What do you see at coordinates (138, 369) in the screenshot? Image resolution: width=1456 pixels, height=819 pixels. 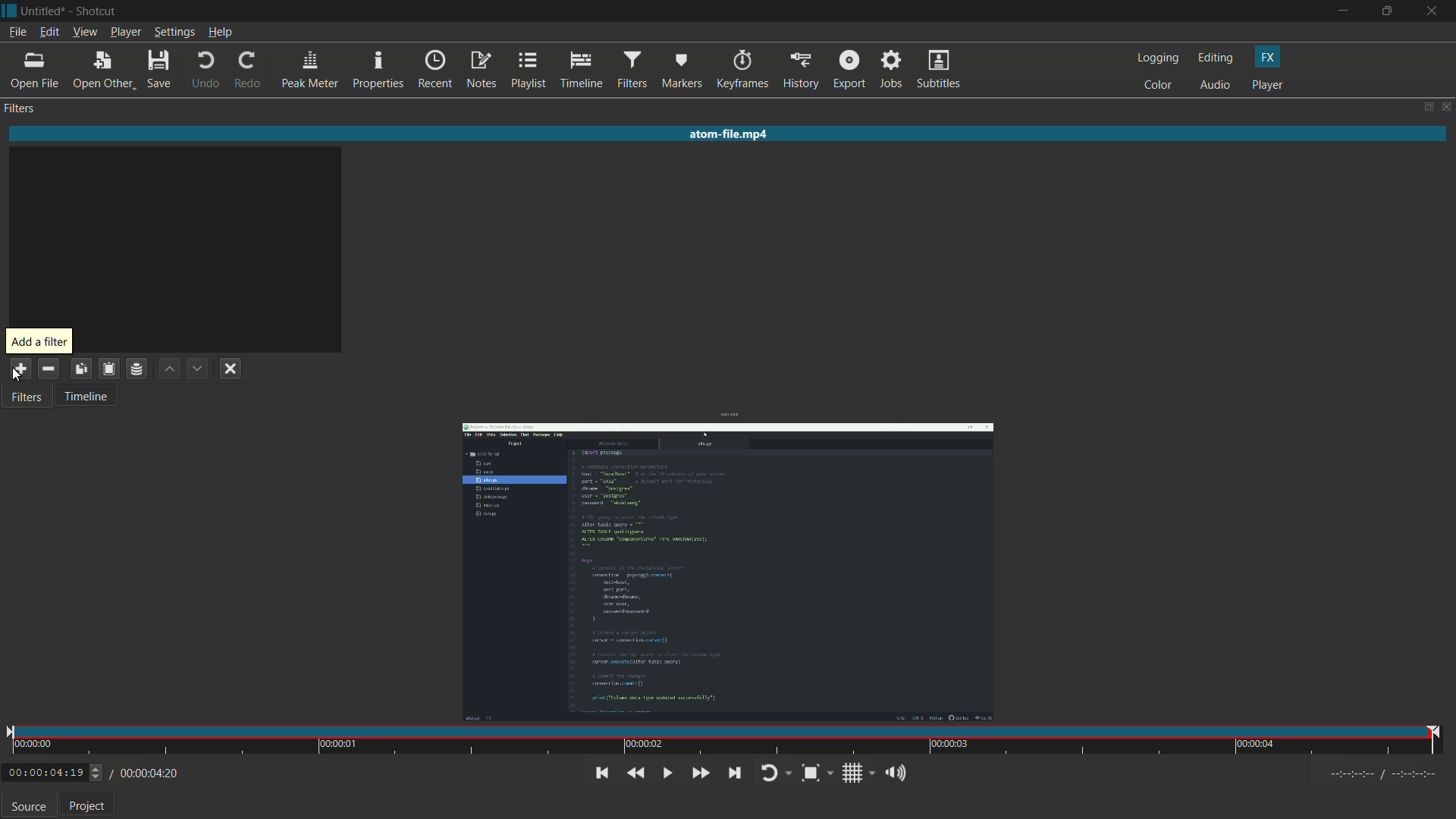 I see `save a filter sets` at bounding box center [138, 369].